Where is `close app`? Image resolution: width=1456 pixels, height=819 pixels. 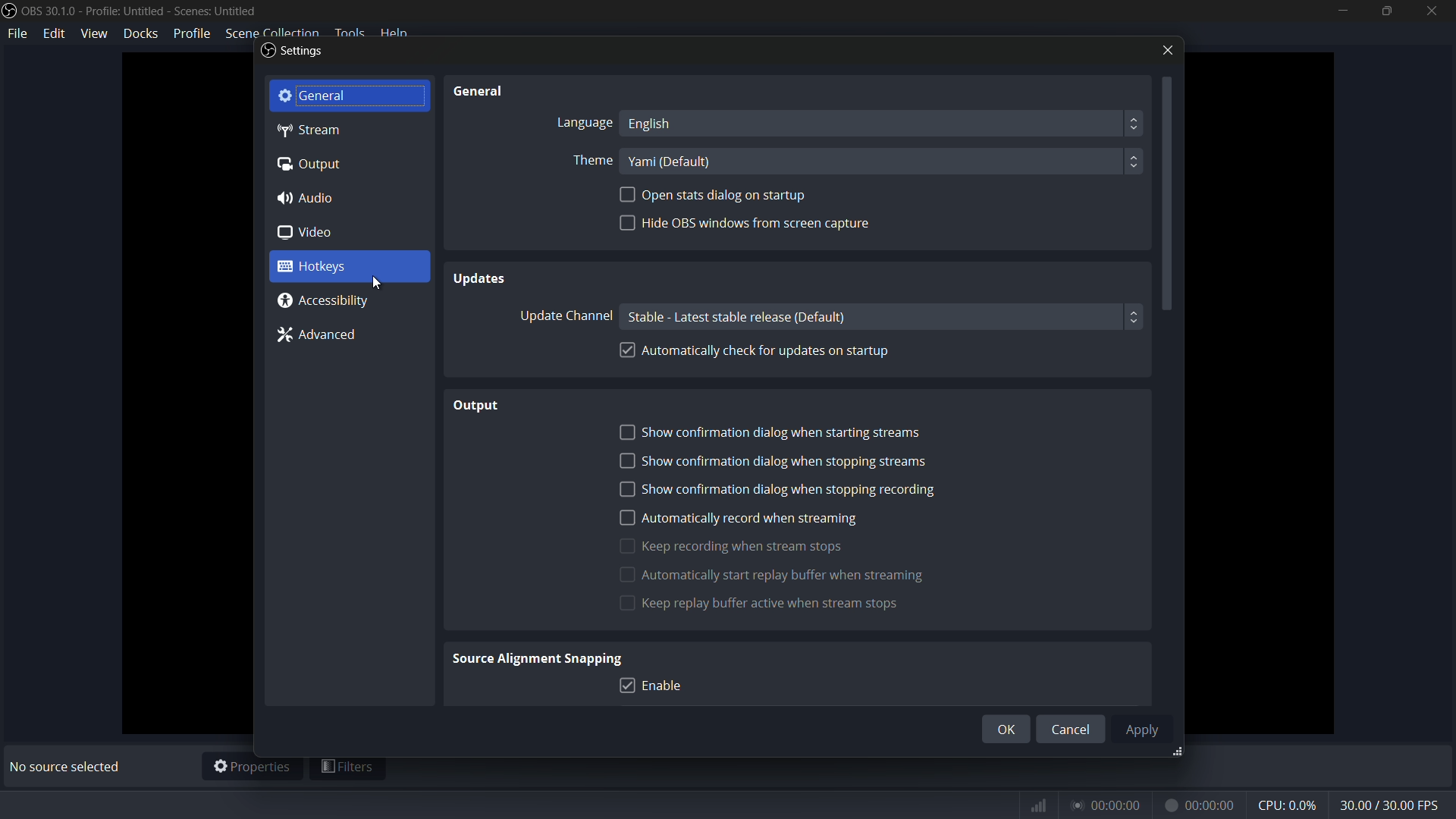
close app is located at coordinates (1432, 11).